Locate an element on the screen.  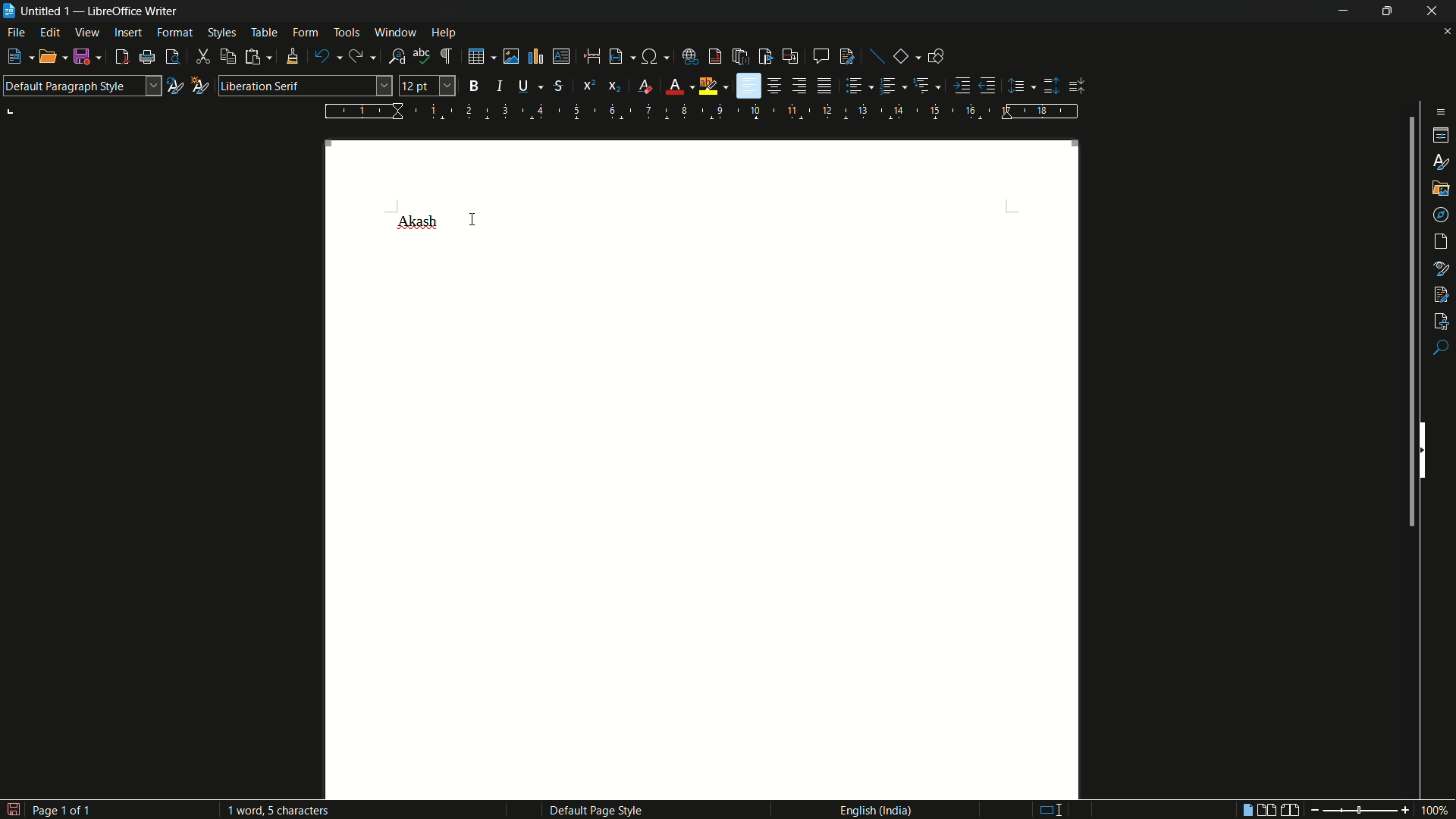
insert end note is located at coordinates (742, 58).